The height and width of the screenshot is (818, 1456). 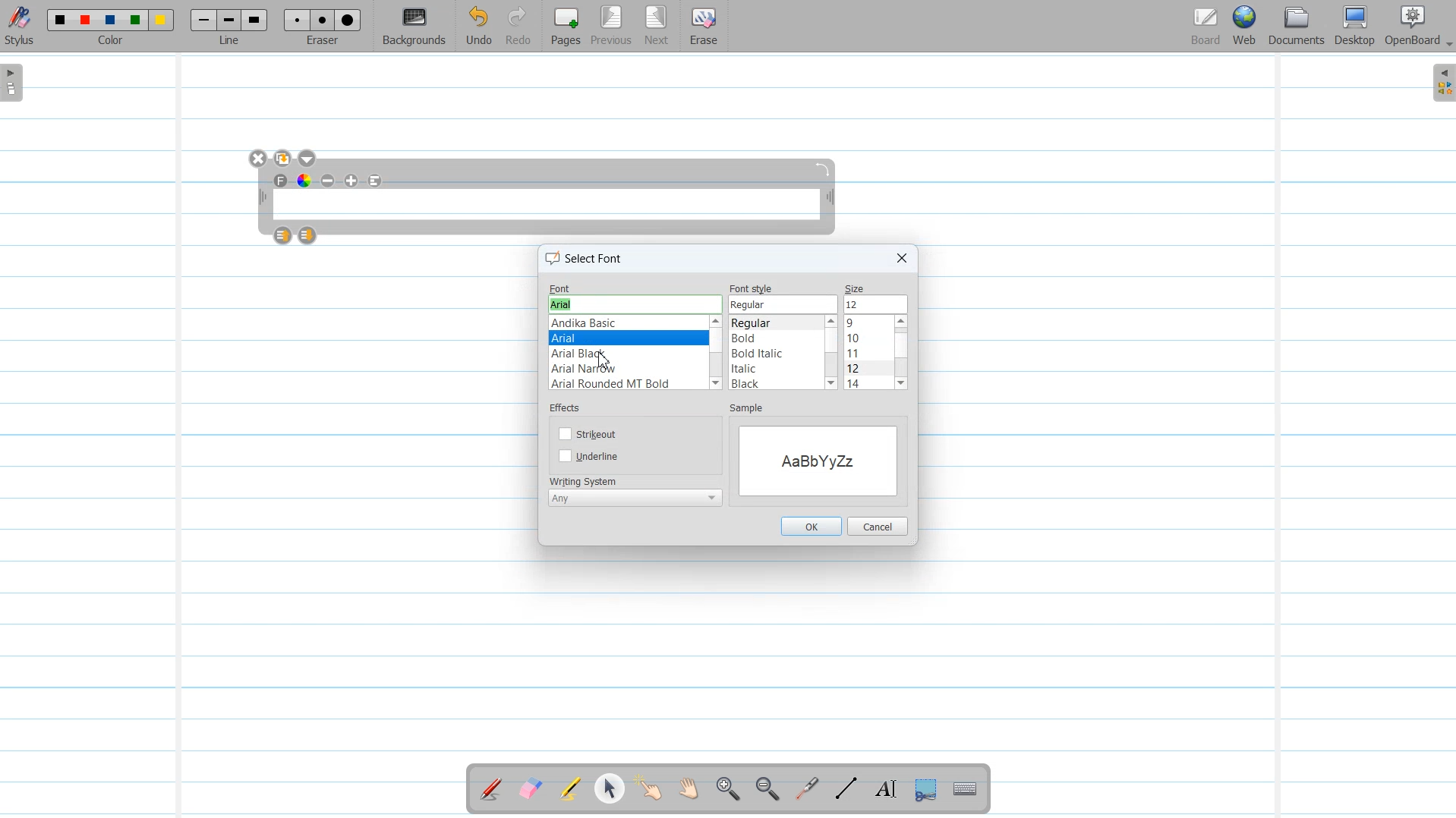 What do you see at coordinates (304, 180) in the screenshot?
I see `Text Color` at bounding box center [304, 180].